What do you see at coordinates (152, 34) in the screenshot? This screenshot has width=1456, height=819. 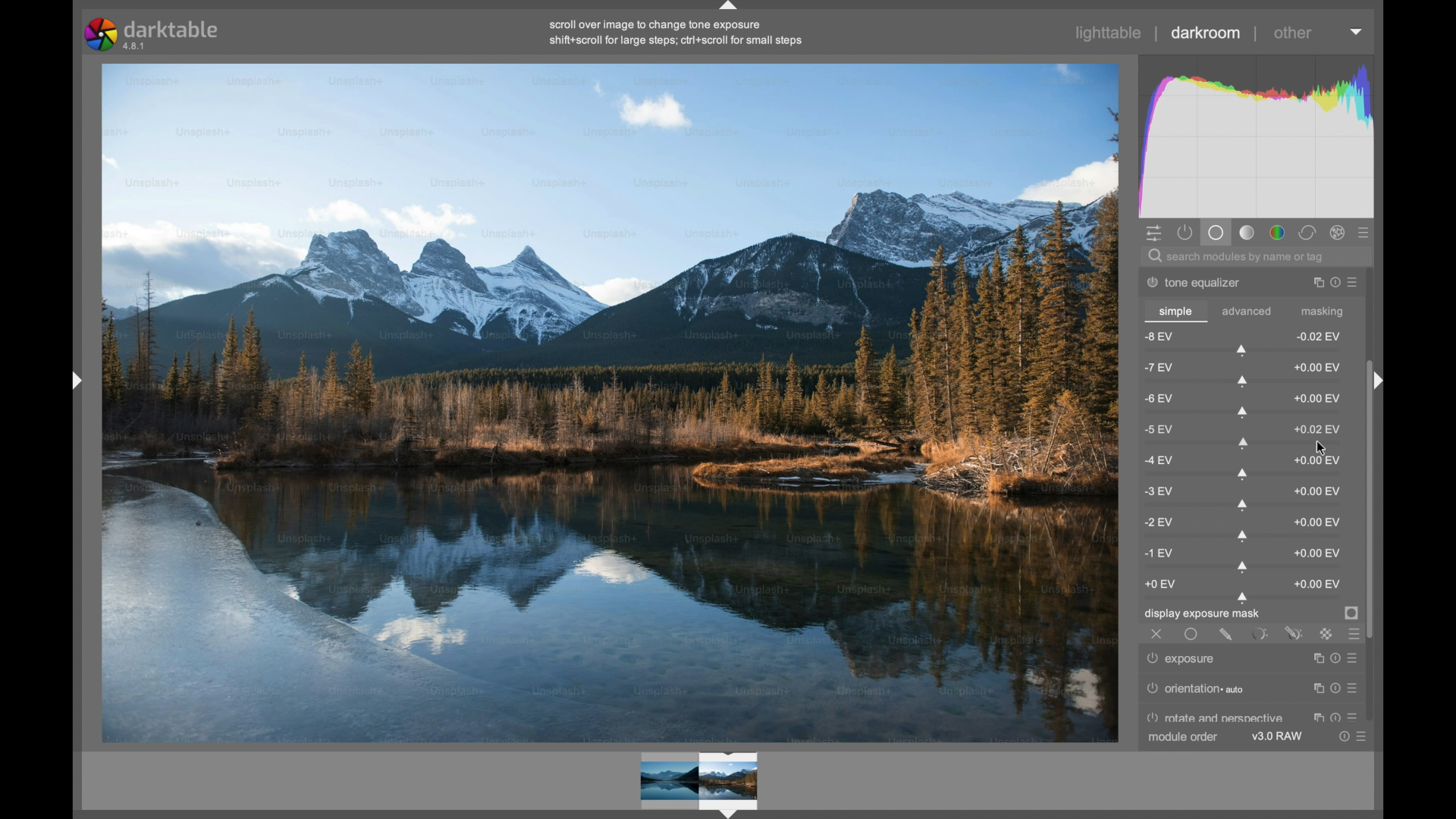 I see `darktable 4.8.1` at bounding box center [152, 34].